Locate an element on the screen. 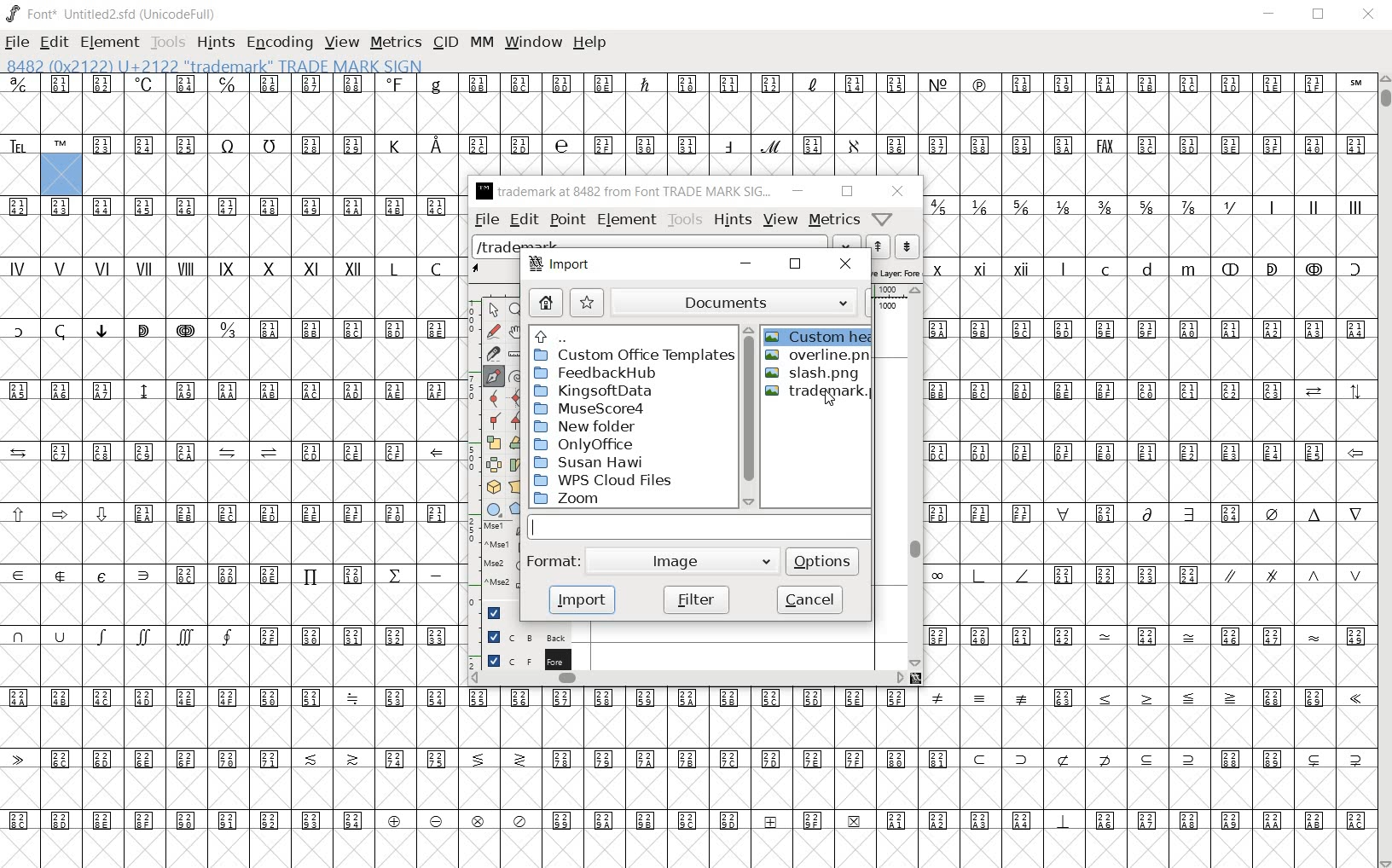  cut splines in two is located at coordinates (491, 353).